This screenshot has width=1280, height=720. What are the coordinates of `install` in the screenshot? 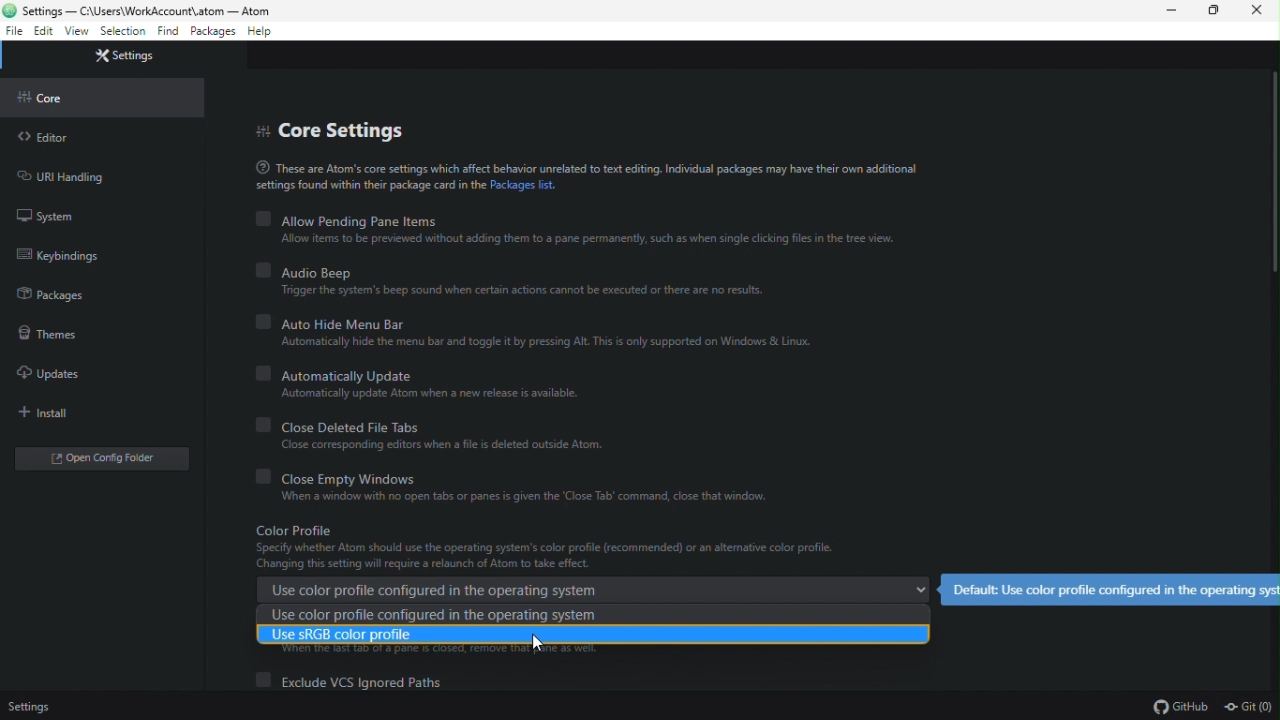 It's located at (51, 413).